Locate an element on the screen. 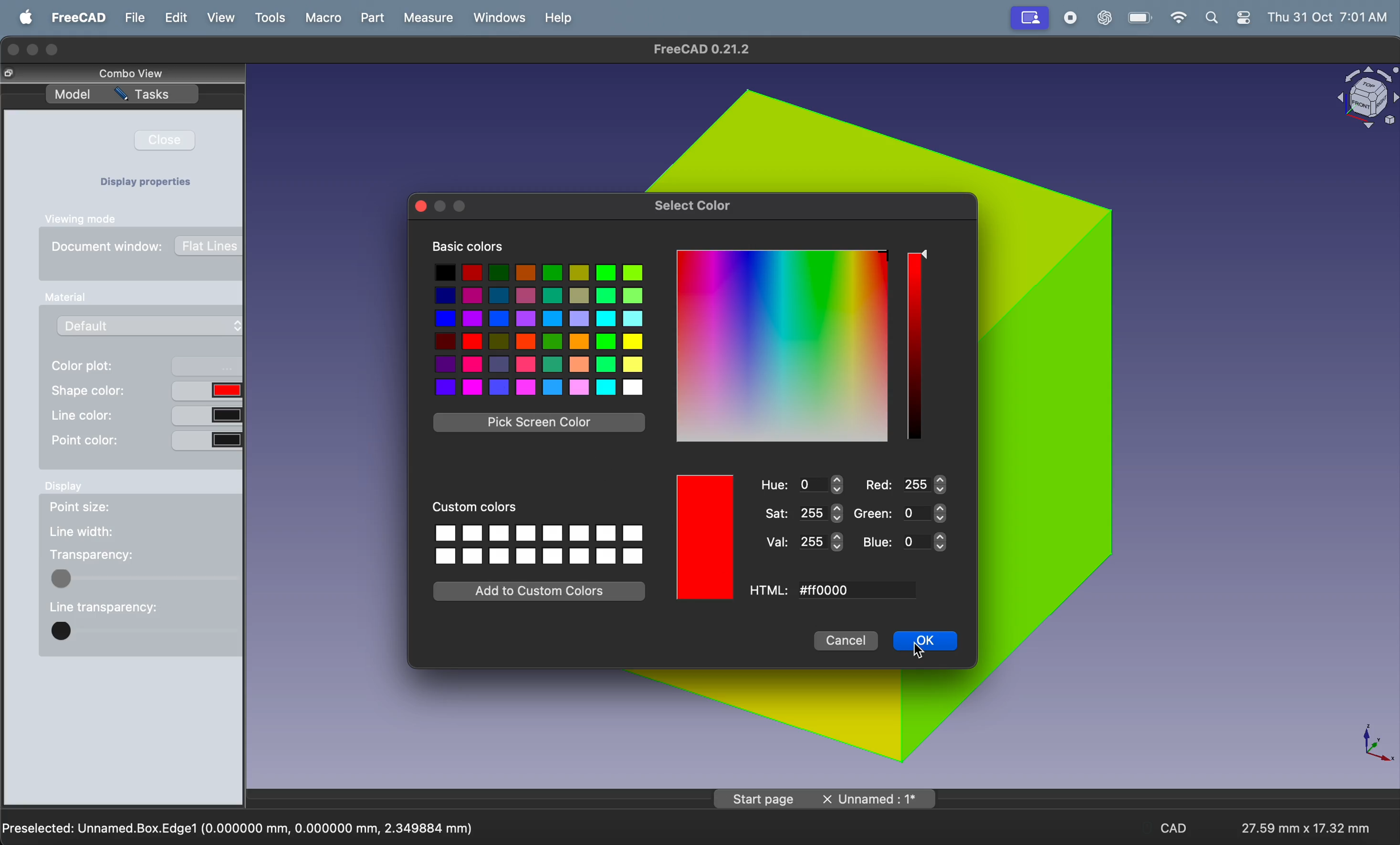 The width and height of the screenshot is (1400, 845). part is located at coordinates (375, 19).